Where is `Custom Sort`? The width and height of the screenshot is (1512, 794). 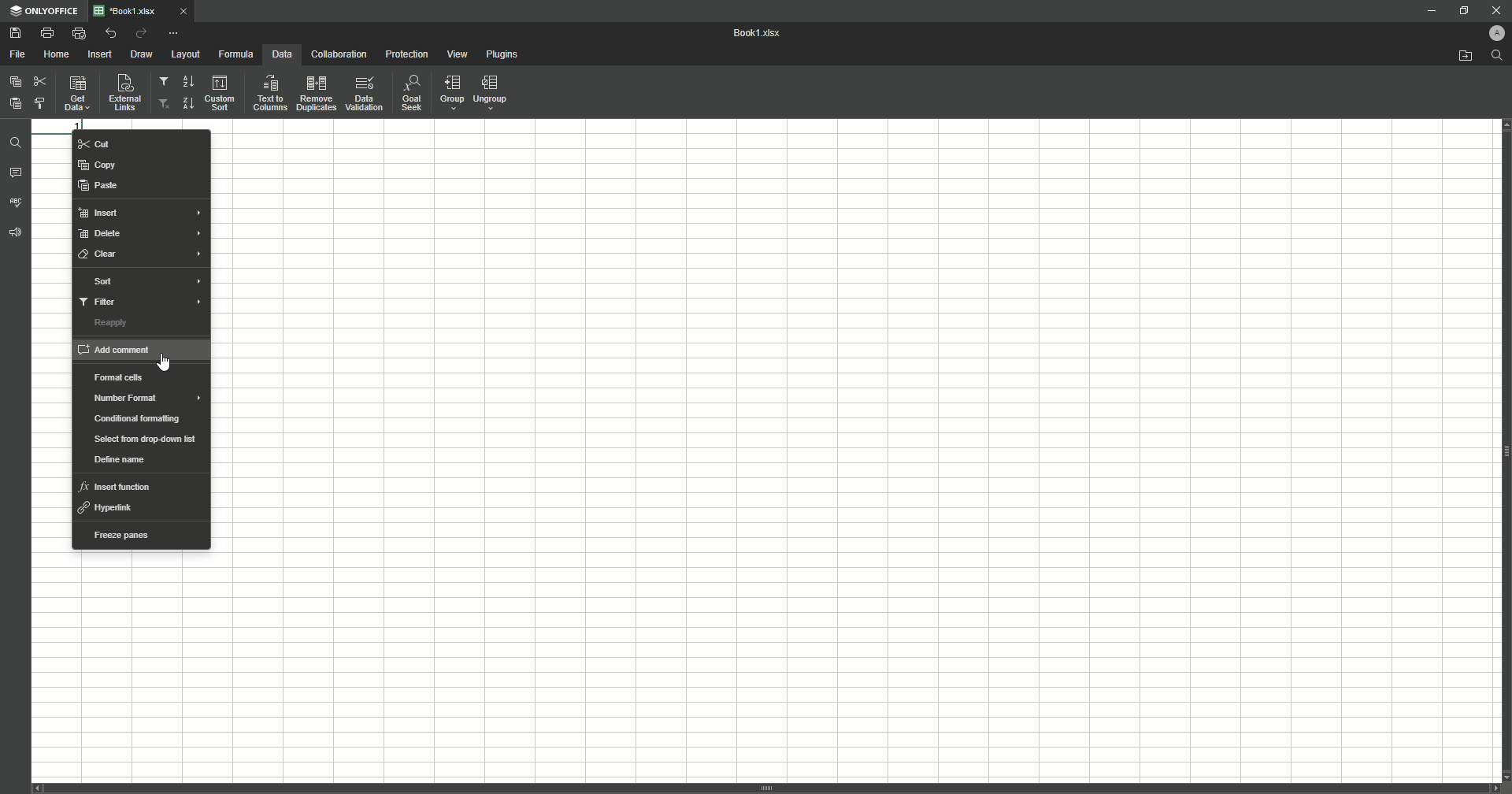 Custom Sort is located at coordinates (221, 94).